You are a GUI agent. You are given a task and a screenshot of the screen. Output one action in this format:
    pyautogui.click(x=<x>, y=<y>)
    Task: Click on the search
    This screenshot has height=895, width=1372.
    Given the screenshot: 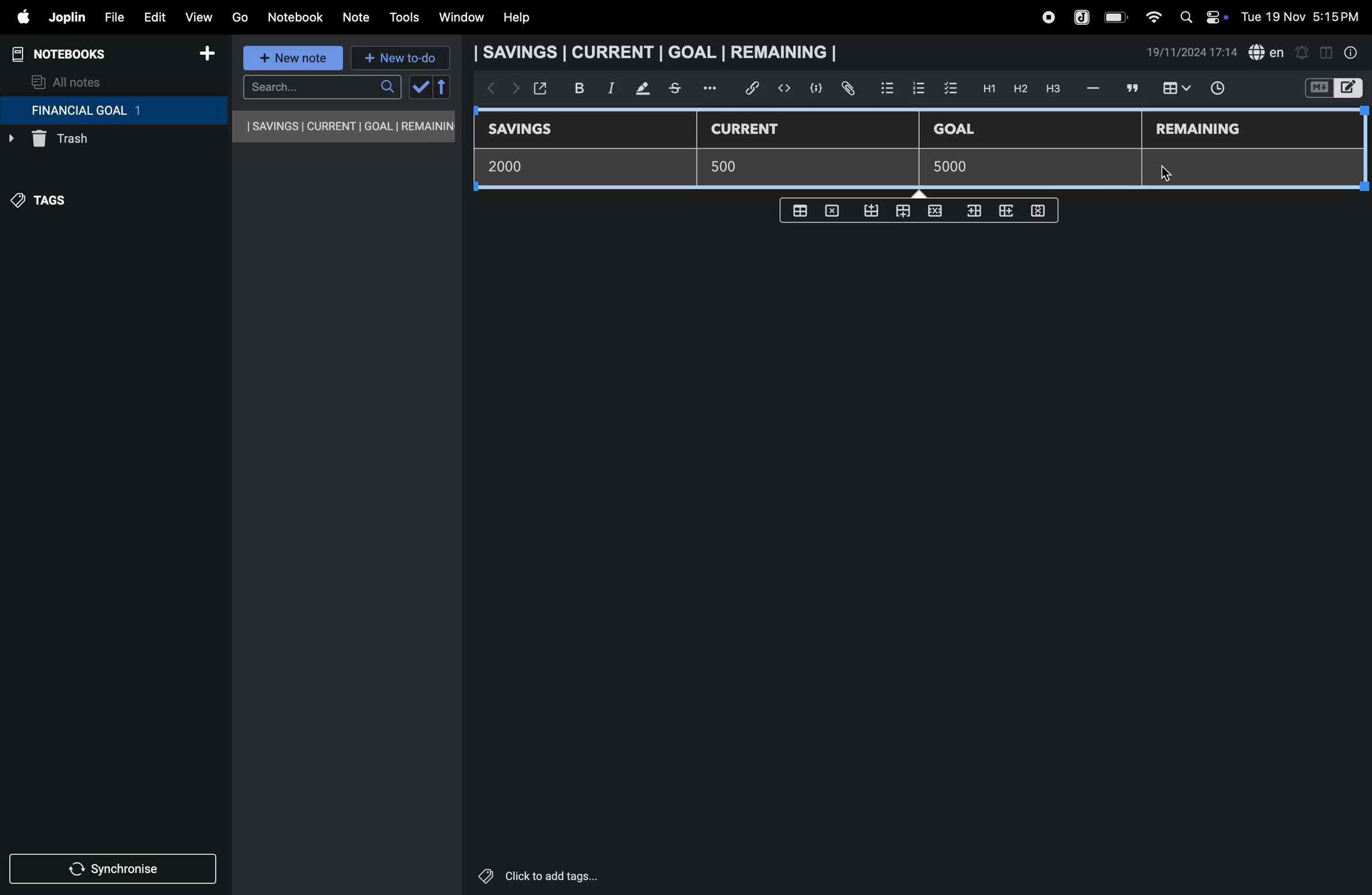 What is the action you would take?
    pyautogui.click(x=322, y=87)
    